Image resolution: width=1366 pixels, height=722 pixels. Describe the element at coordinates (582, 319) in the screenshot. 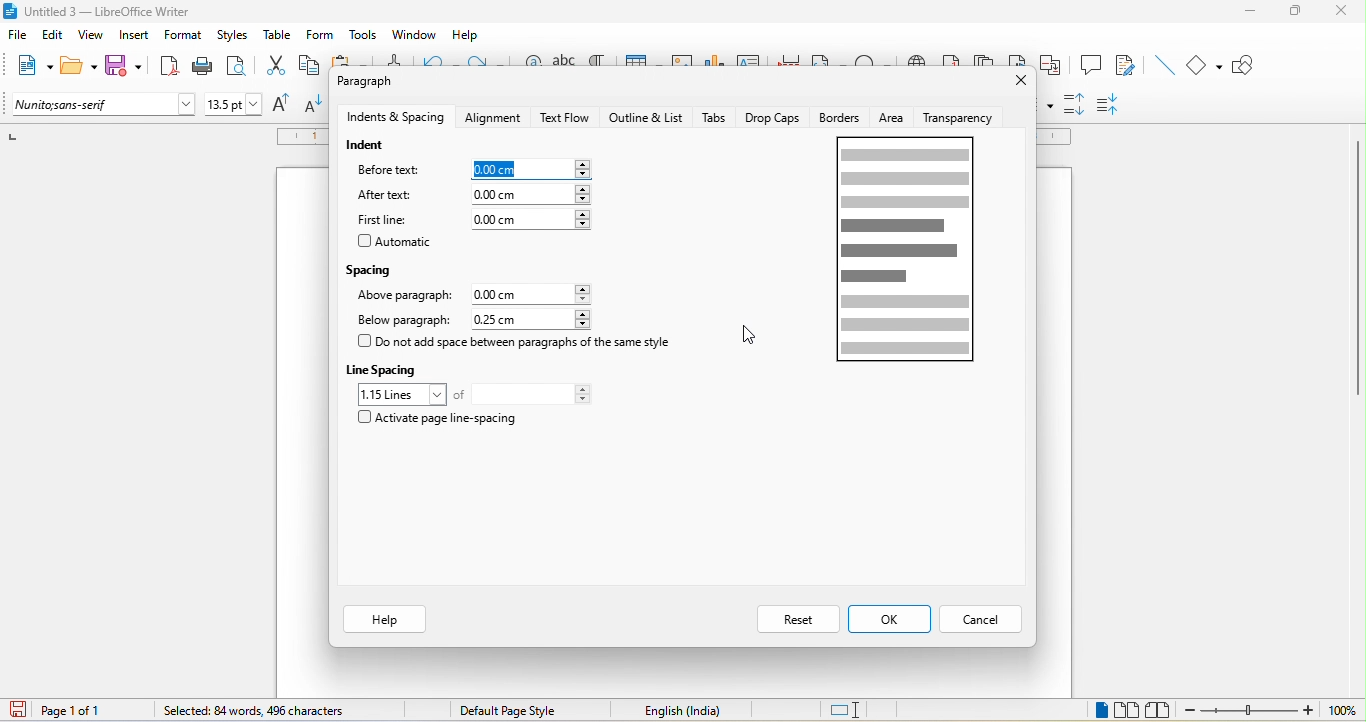

I see `increase or decrease` at that location.